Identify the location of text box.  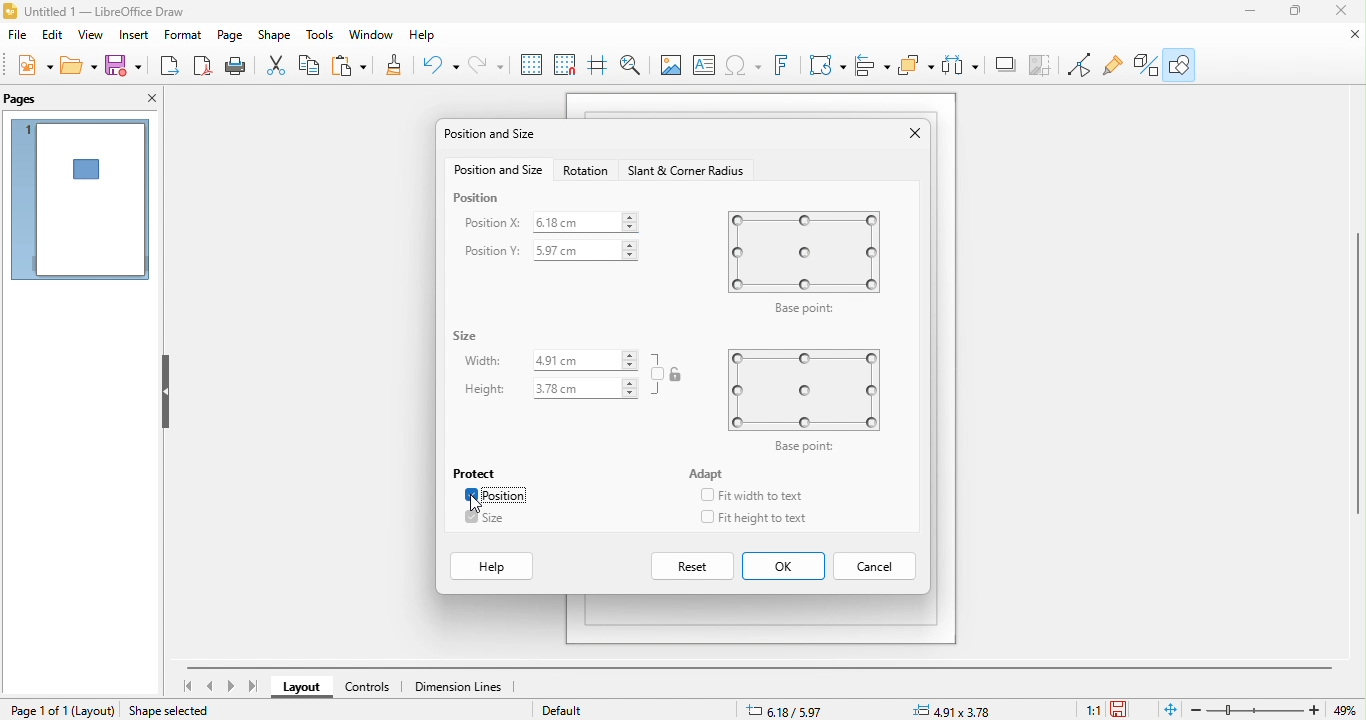
(704, 66).